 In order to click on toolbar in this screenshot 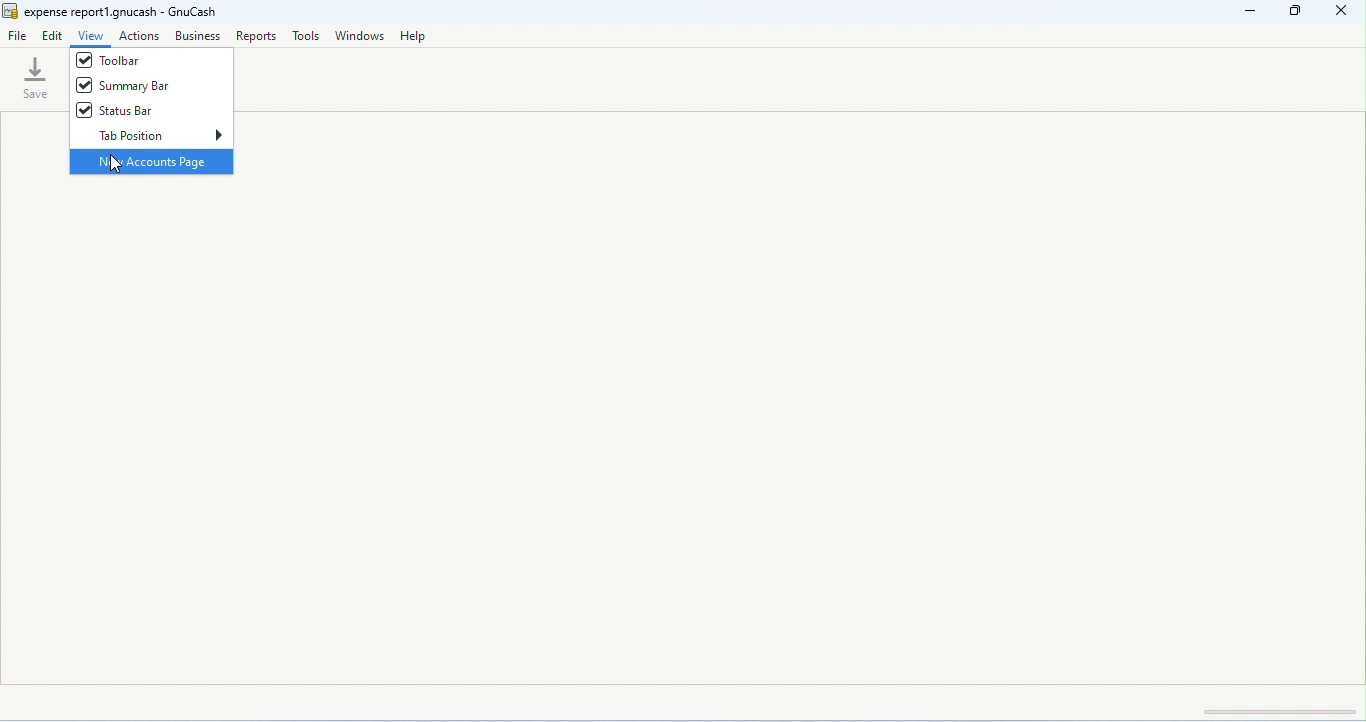, I will do `click(110, 60)`.